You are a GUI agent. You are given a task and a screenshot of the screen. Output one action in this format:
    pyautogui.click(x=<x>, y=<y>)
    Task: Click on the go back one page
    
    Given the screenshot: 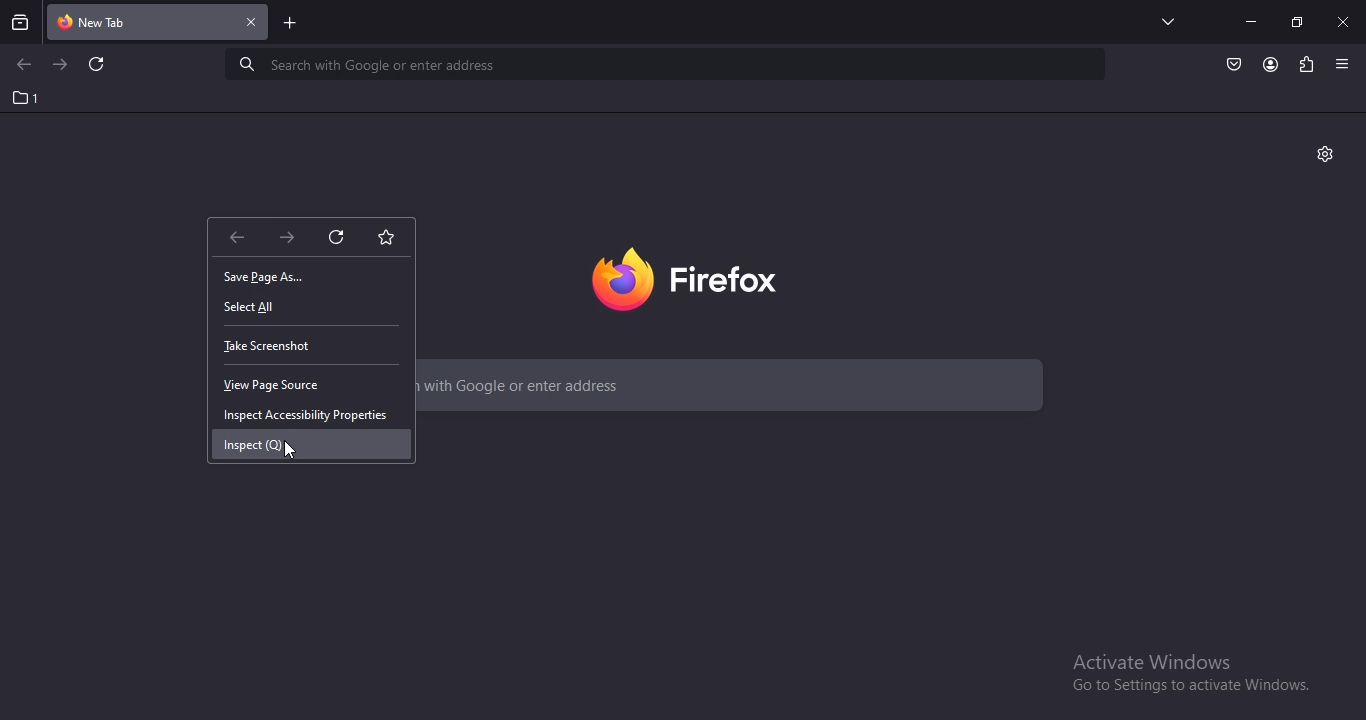 What is the action you would take?
    pyautogui.click(x=237, y=237)
    